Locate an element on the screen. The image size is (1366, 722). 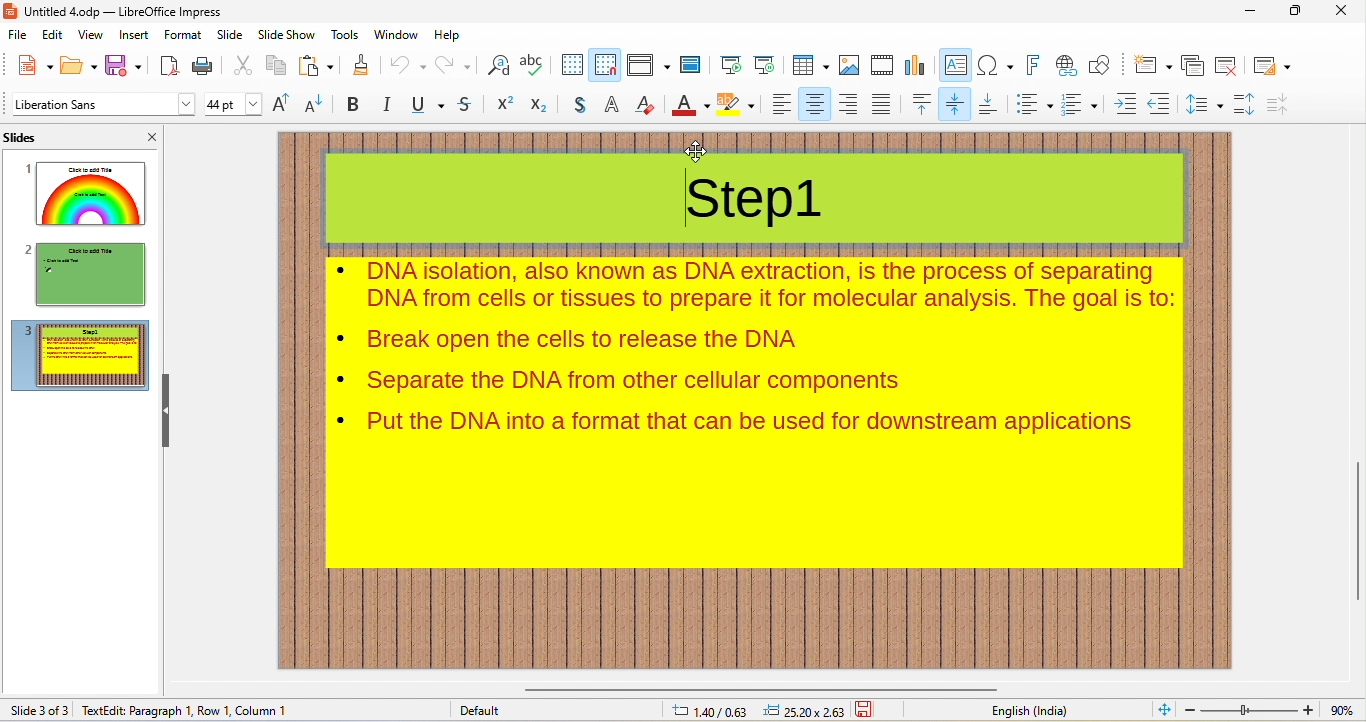
display grid is located at coordinates (570, 63).